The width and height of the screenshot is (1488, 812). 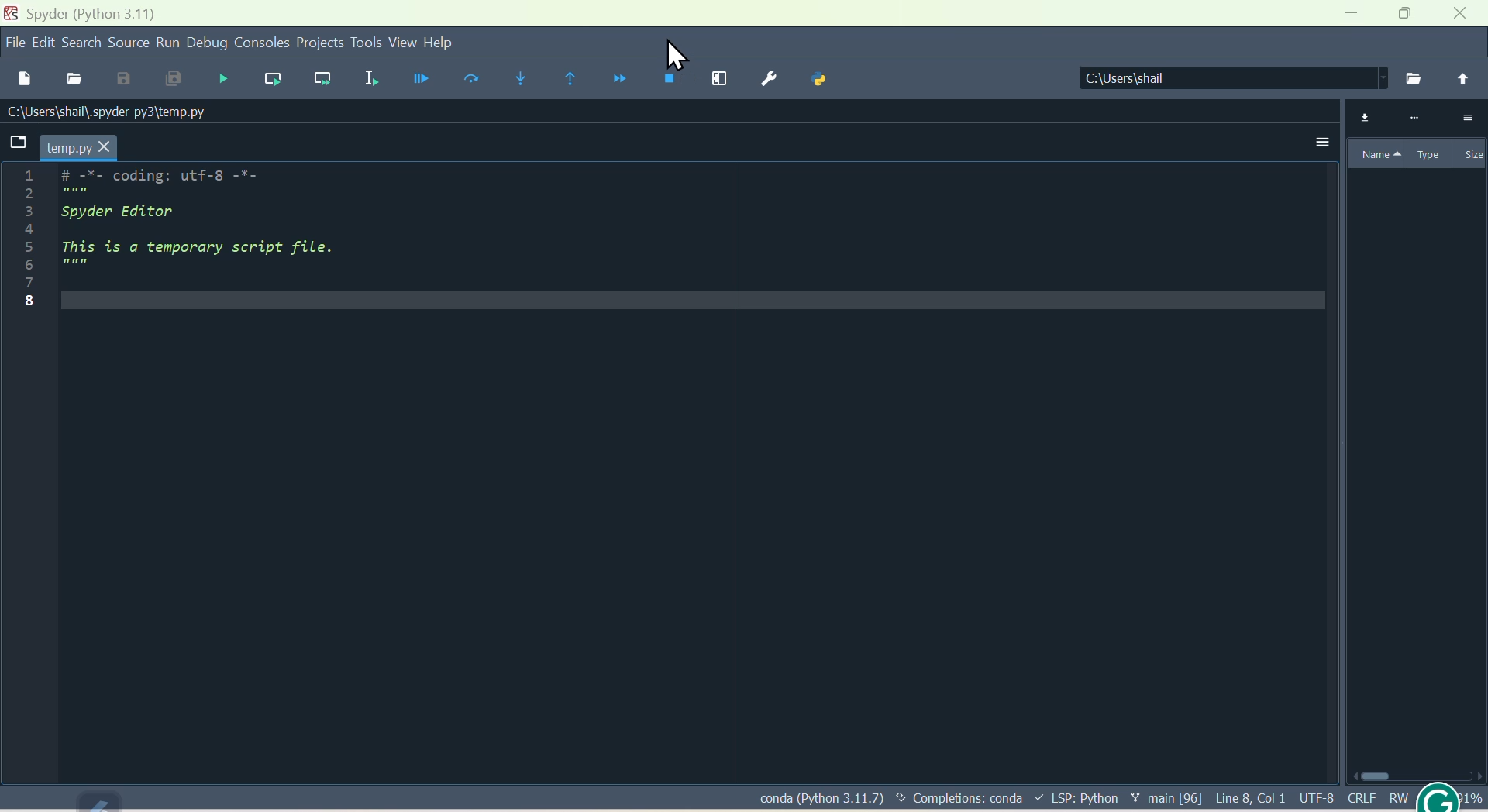 What do you see at coordinates (261, 40) in the screenshot?
I see `Consoles` at bounding box center [261, 40].